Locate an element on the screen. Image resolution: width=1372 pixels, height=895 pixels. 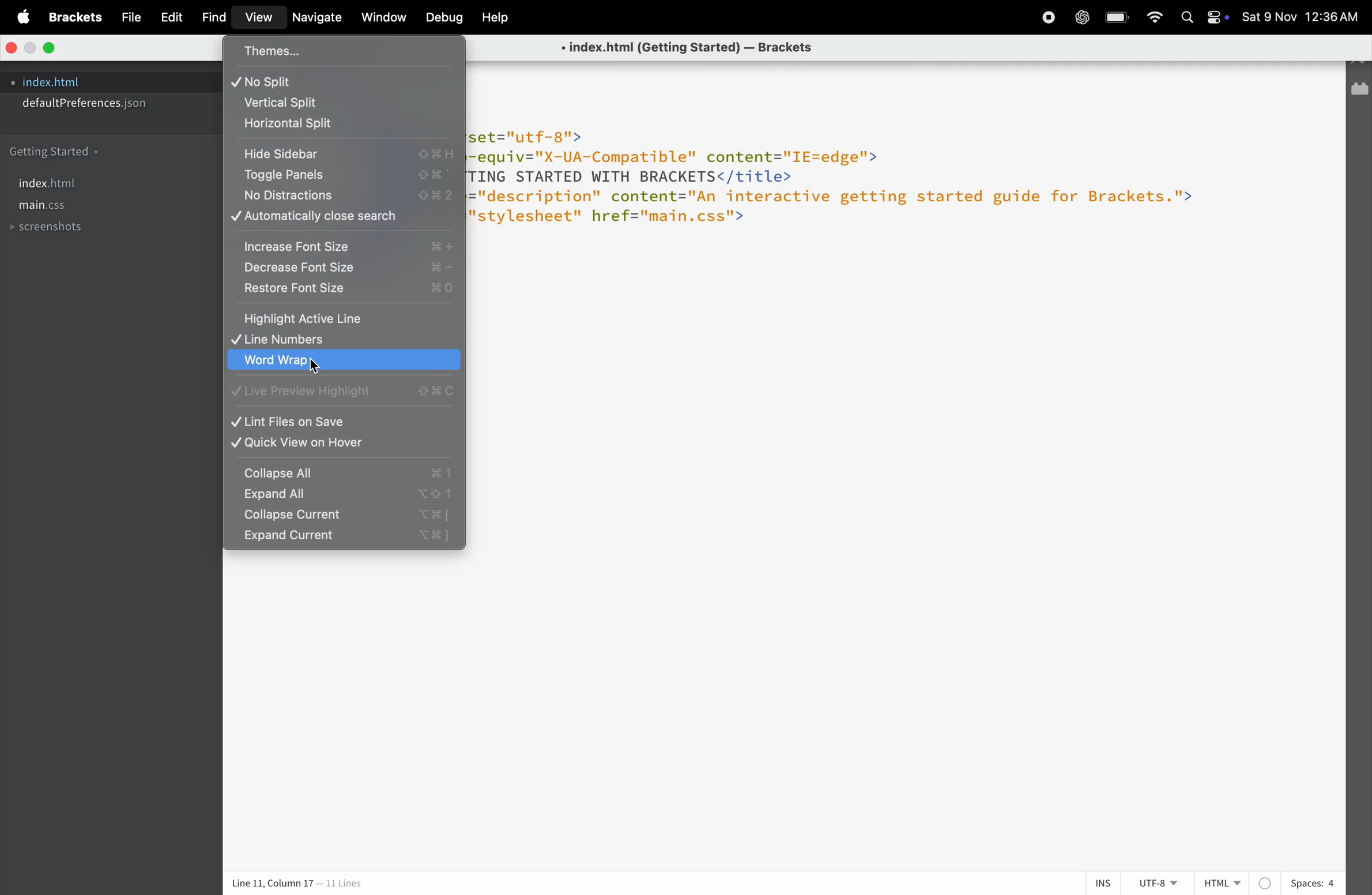
highlight active line is located at coordinates (342, 319).